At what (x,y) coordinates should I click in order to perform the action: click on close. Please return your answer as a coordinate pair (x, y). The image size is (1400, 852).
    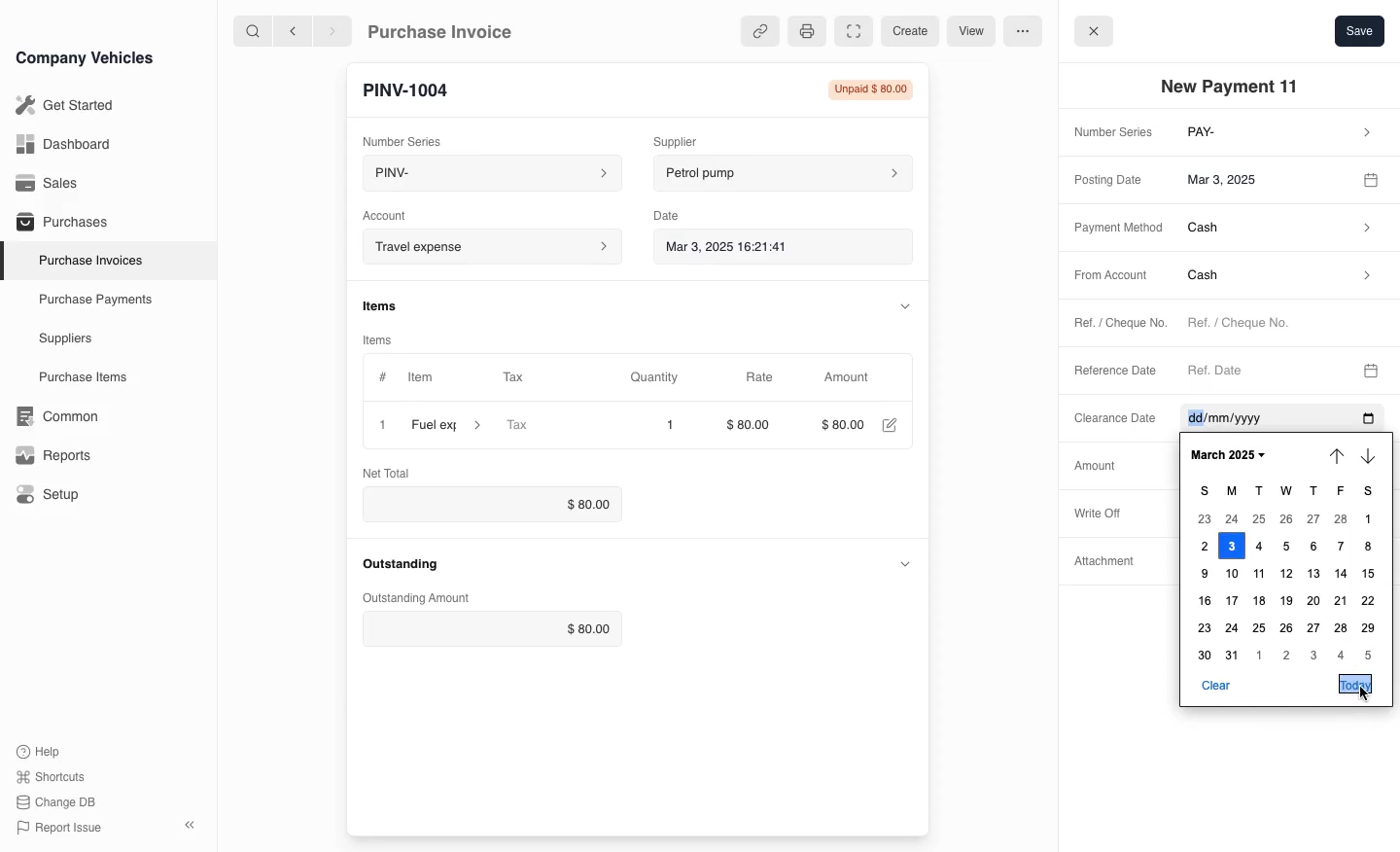
    Looking at the image, I should click on (1094, 29).